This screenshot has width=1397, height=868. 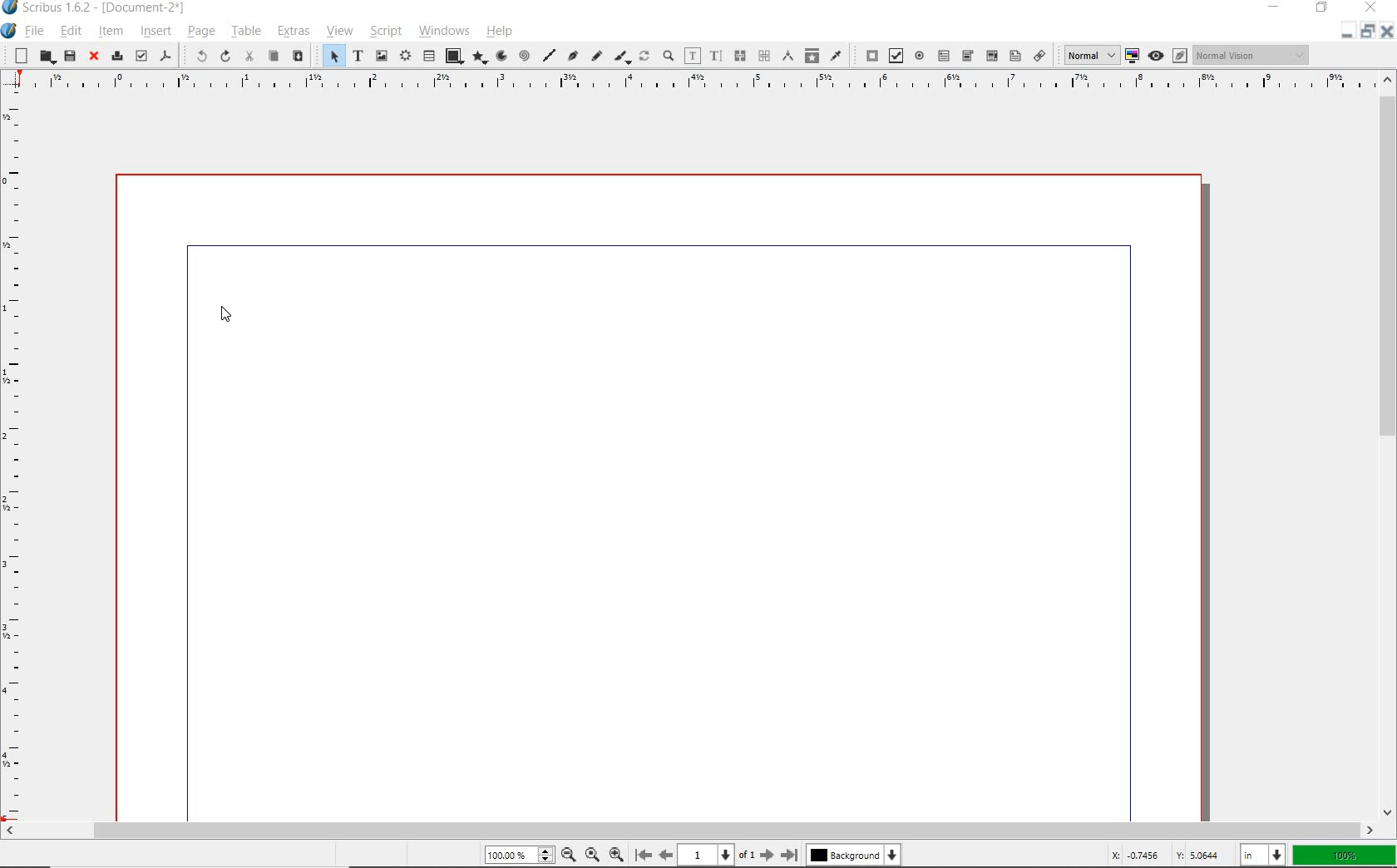 I want to click on link annotation, so click(x=1039, y=55).